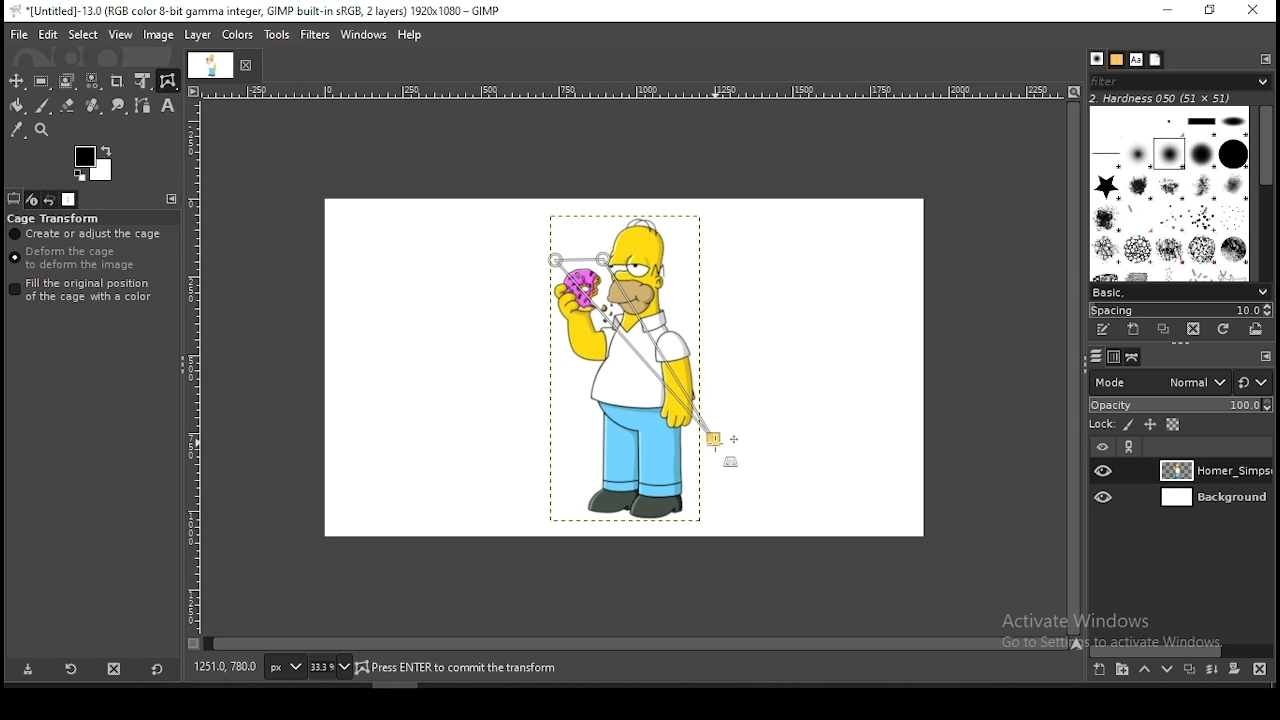  What do you see at coordinates (1256, 328) in the screenshot?
I see `open brush as image` at bounding box center [1256, 328].